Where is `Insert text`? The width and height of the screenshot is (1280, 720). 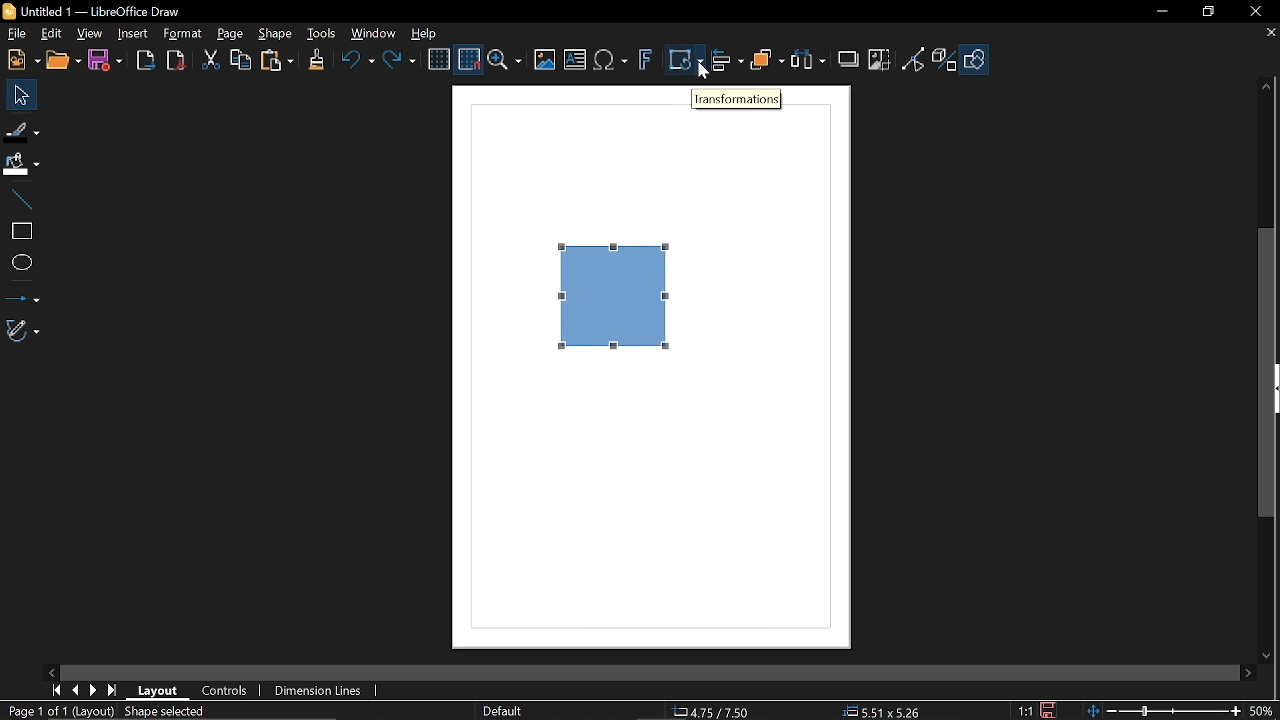
Insert text is located at coordinates (574, 61).